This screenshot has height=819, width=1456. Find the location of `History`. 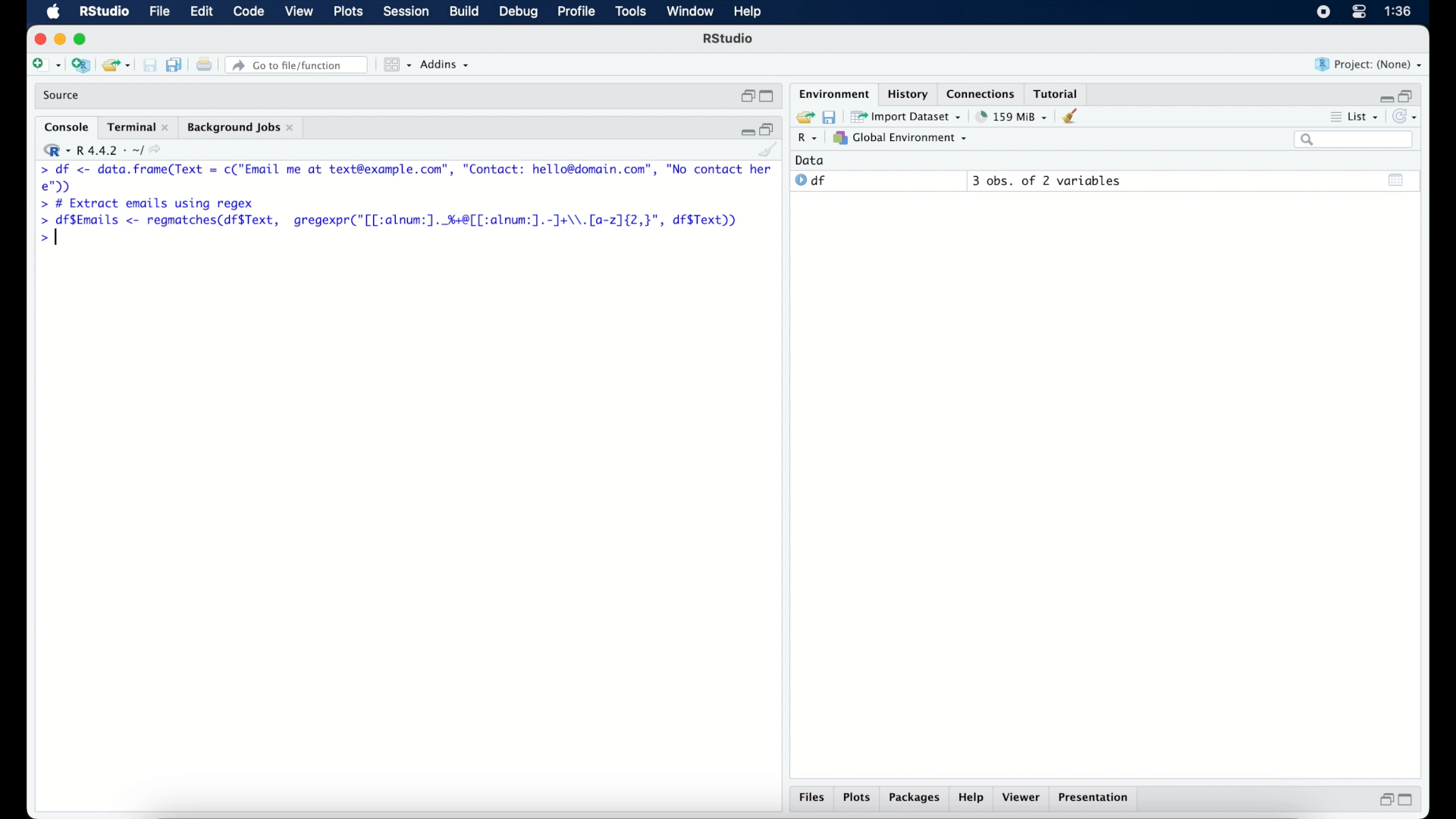

History is located at coordinates (906, 93).